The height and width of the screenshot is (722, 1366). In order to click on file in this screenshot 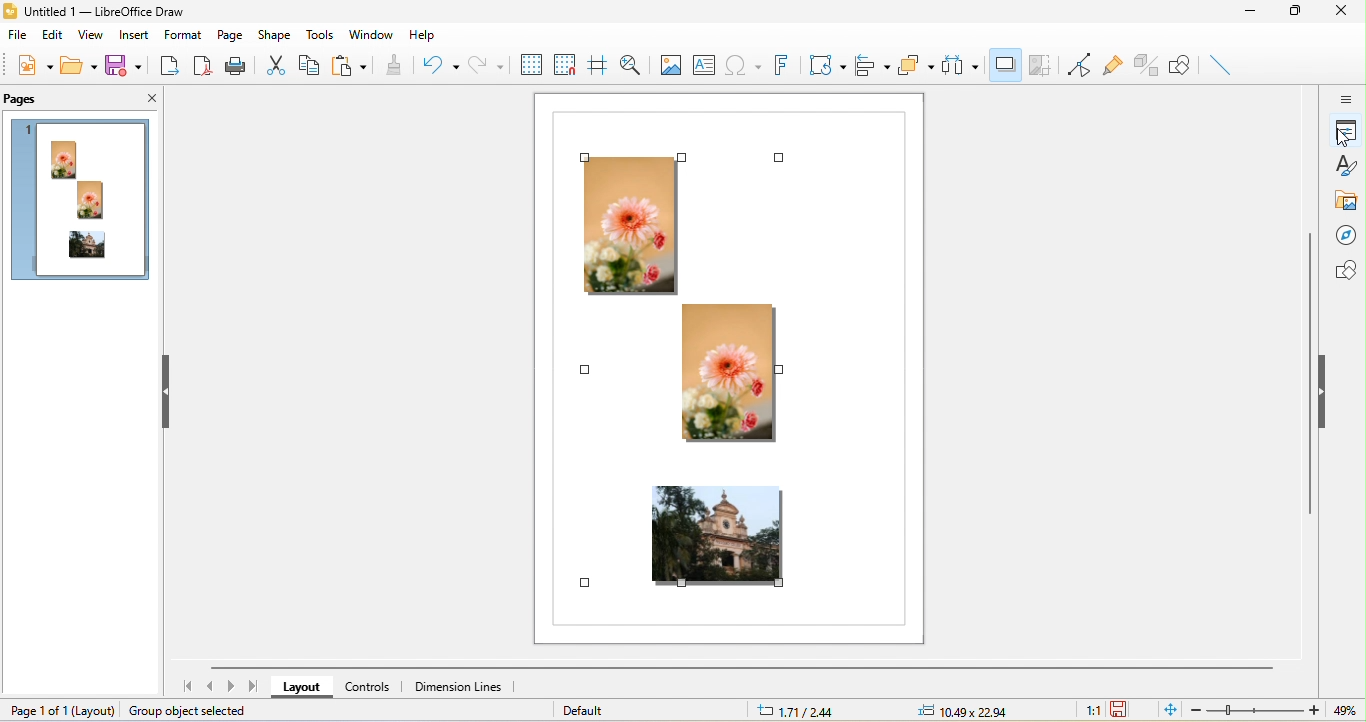, I will do `click(16, 37)`.